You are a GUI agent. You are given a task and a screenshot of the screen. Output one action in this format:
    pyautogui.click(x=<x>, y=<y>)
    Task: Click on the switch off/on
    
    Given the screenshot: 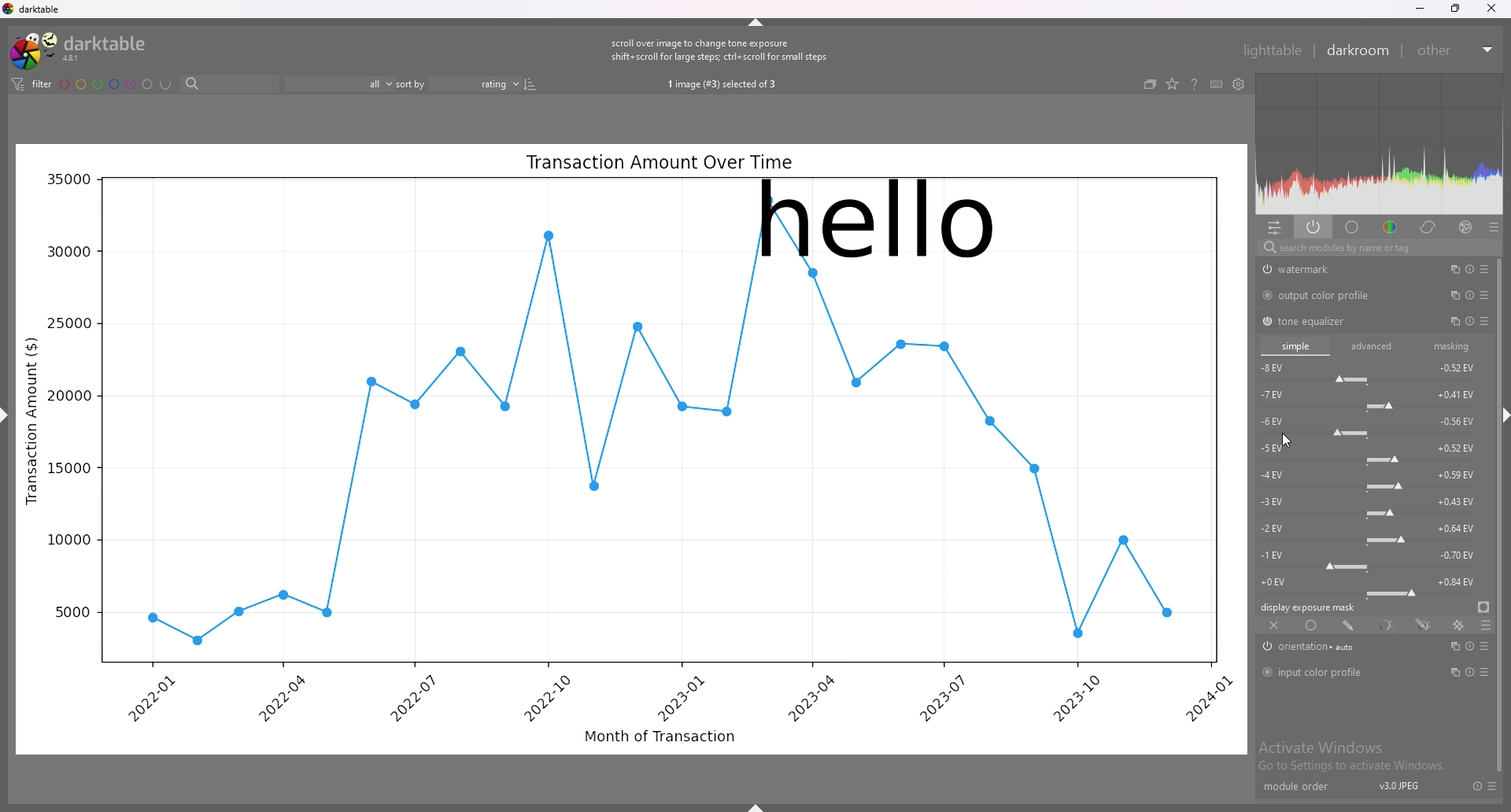 What is the action you would take?
    pyautogui.click(x=1266, y=648)
    